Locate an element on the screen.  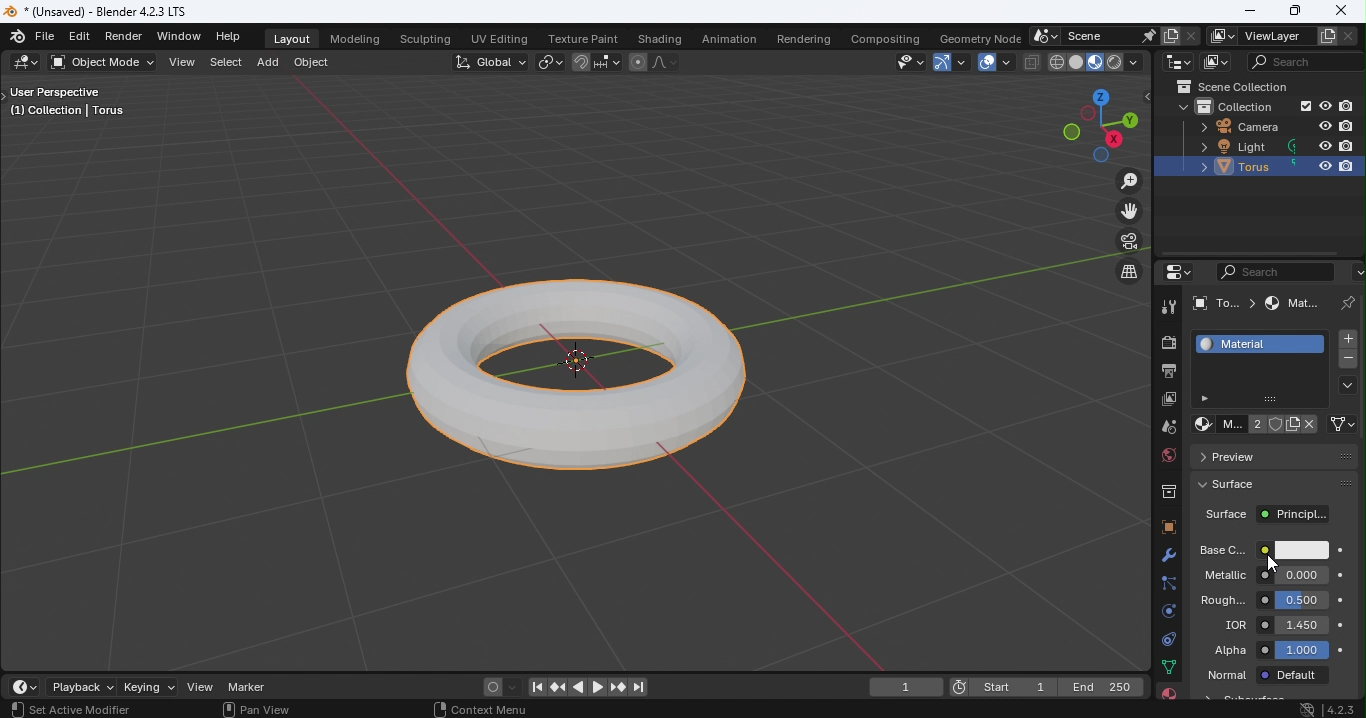
Hide in viewpoint is located at coordinates (1325, 147).